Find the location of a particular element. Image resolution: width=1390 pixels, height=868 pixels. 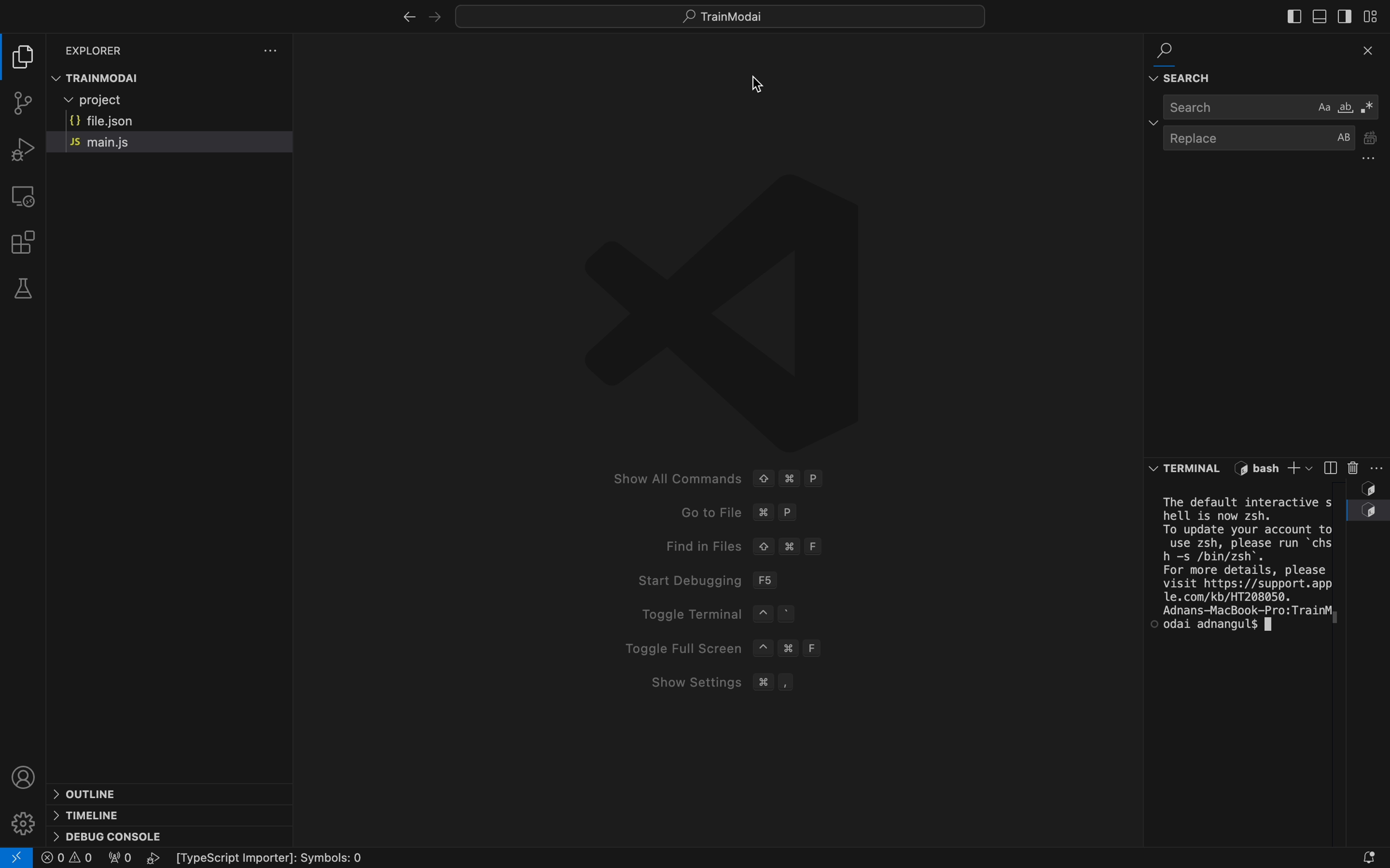

SHow Settings is located at coordinates (783, 682).